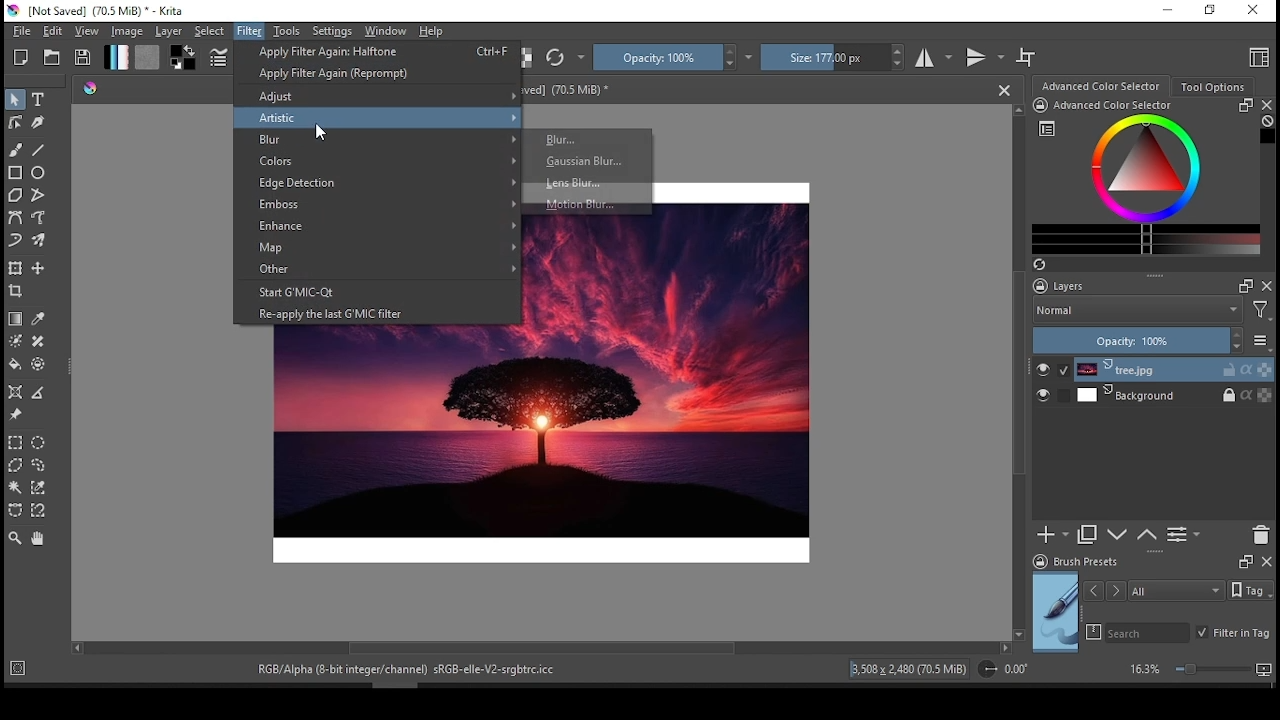  I want to click on view, so click(87, 31).